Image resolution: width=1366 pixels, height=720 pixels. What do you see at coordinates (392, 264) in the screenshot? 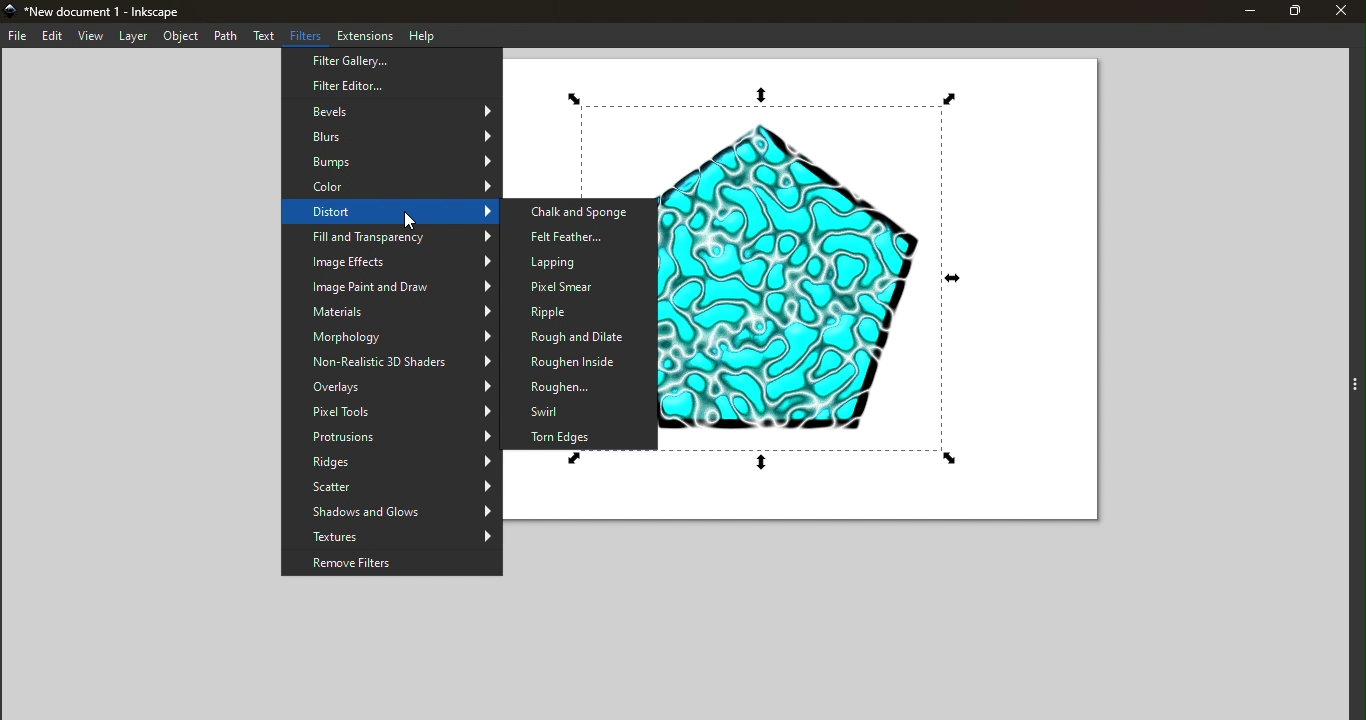
I see `Image Effects` at bounding box center [392, 264].